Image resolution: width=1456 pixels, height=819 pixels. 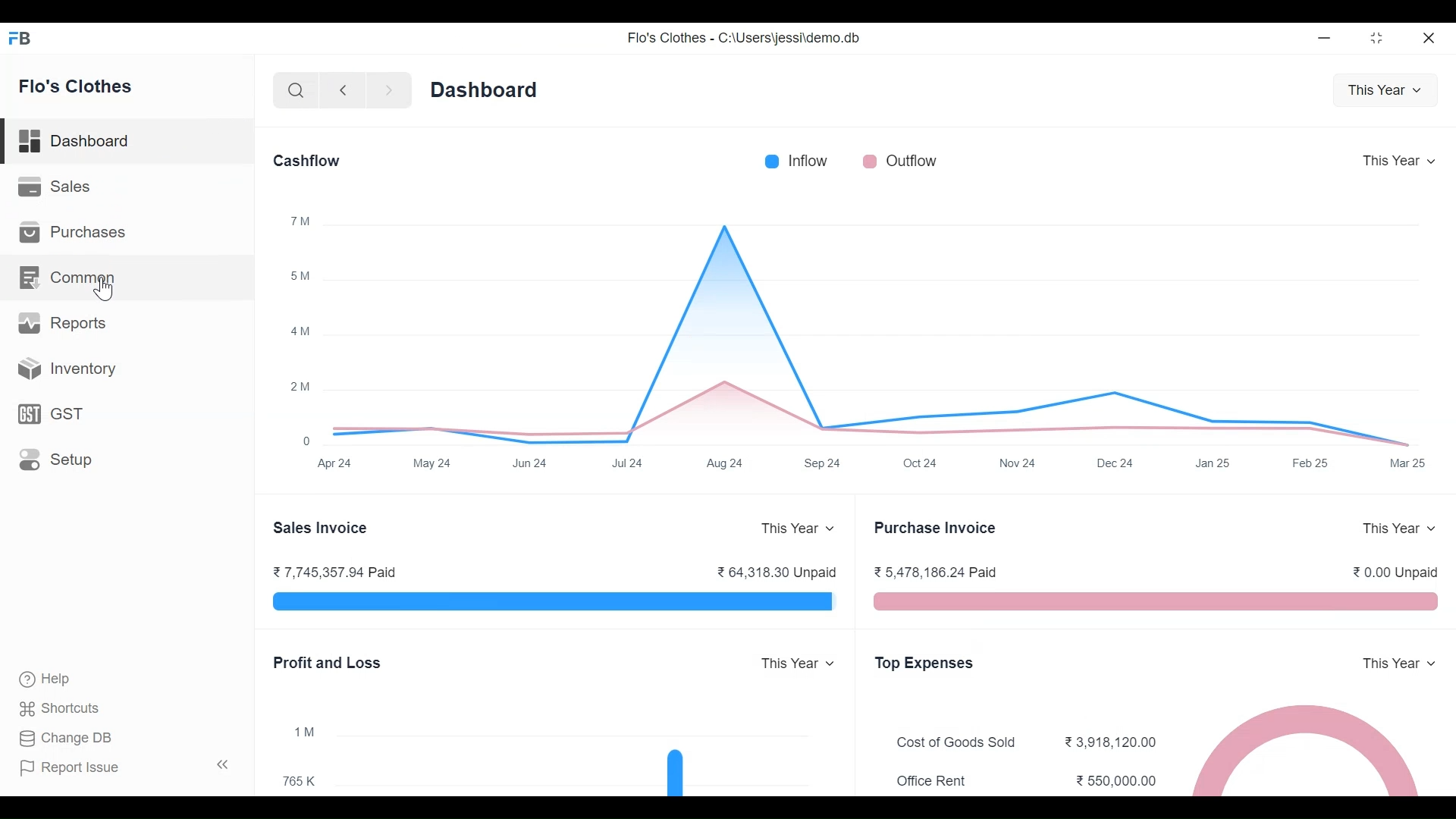 What do you see at coordinates (68, 706) in the screenshot?
I see `Shortcuts` at bounding box center [68, 706].